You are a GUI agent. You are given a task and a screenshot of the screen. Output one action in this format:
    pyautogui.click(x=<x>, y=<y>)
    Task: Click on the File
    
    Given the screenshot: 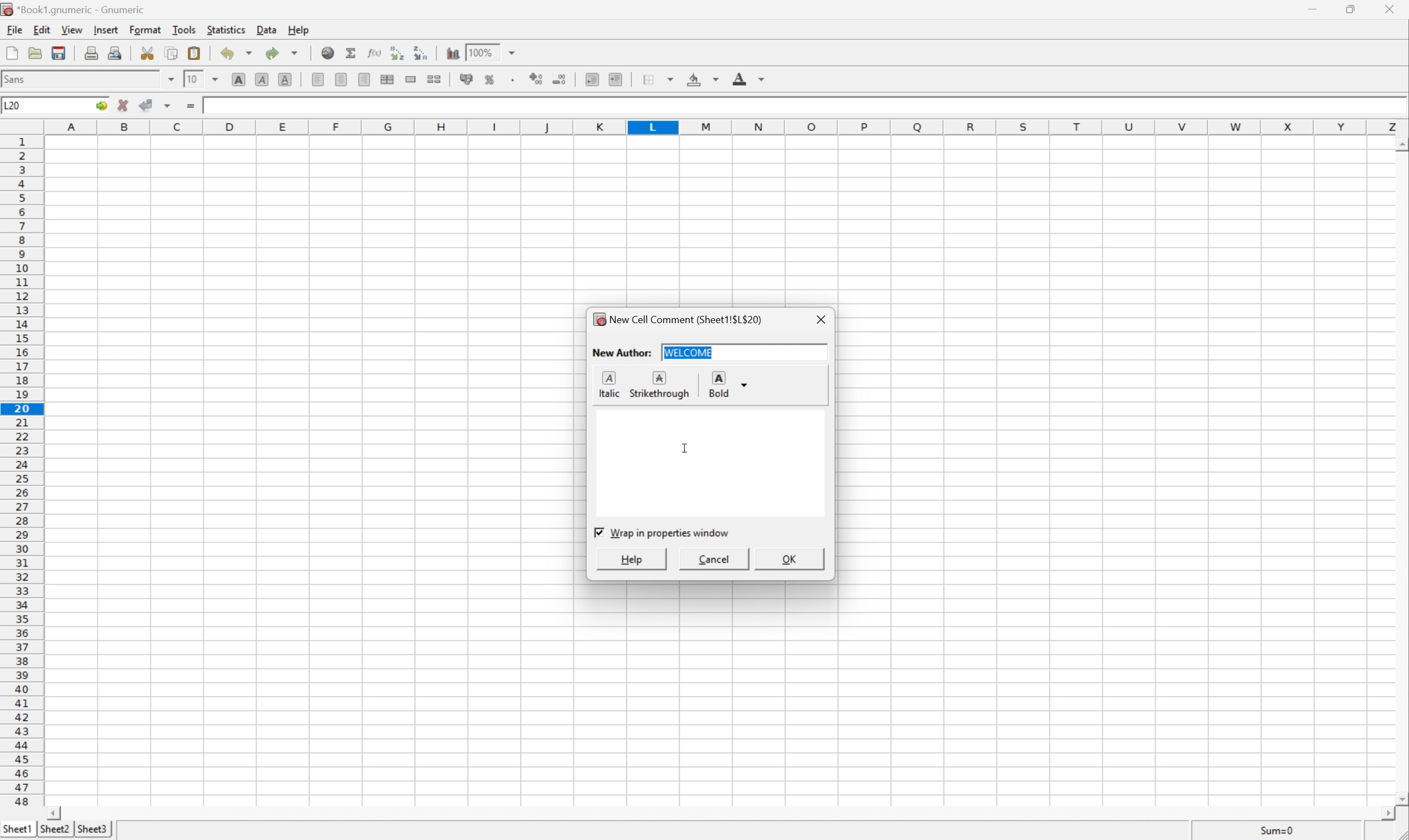 What is the action you would take?
    pyautogui.click(x=15, y=29)
    